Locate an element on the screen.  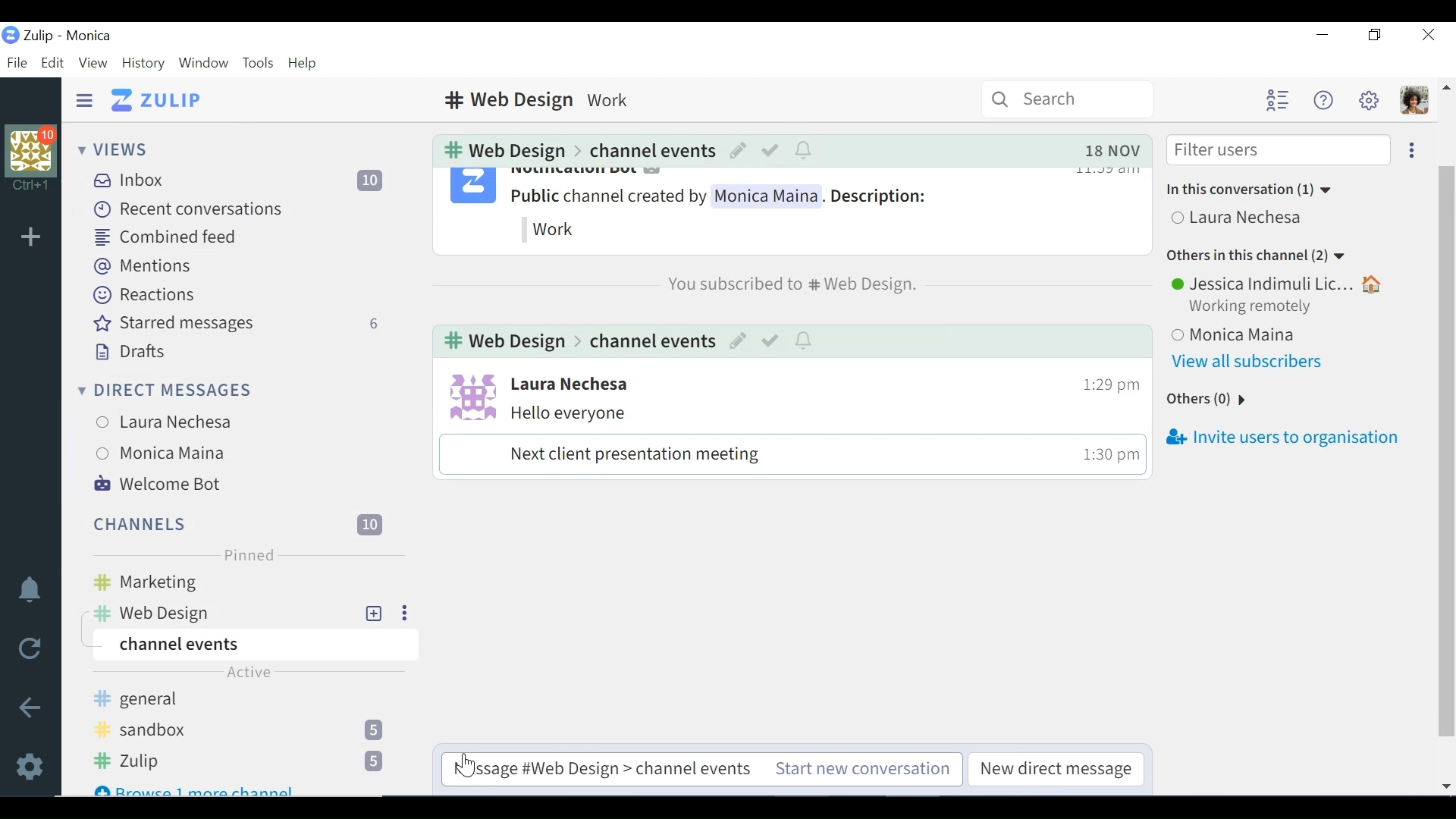
Channel events is located at coordinates (649, 341).